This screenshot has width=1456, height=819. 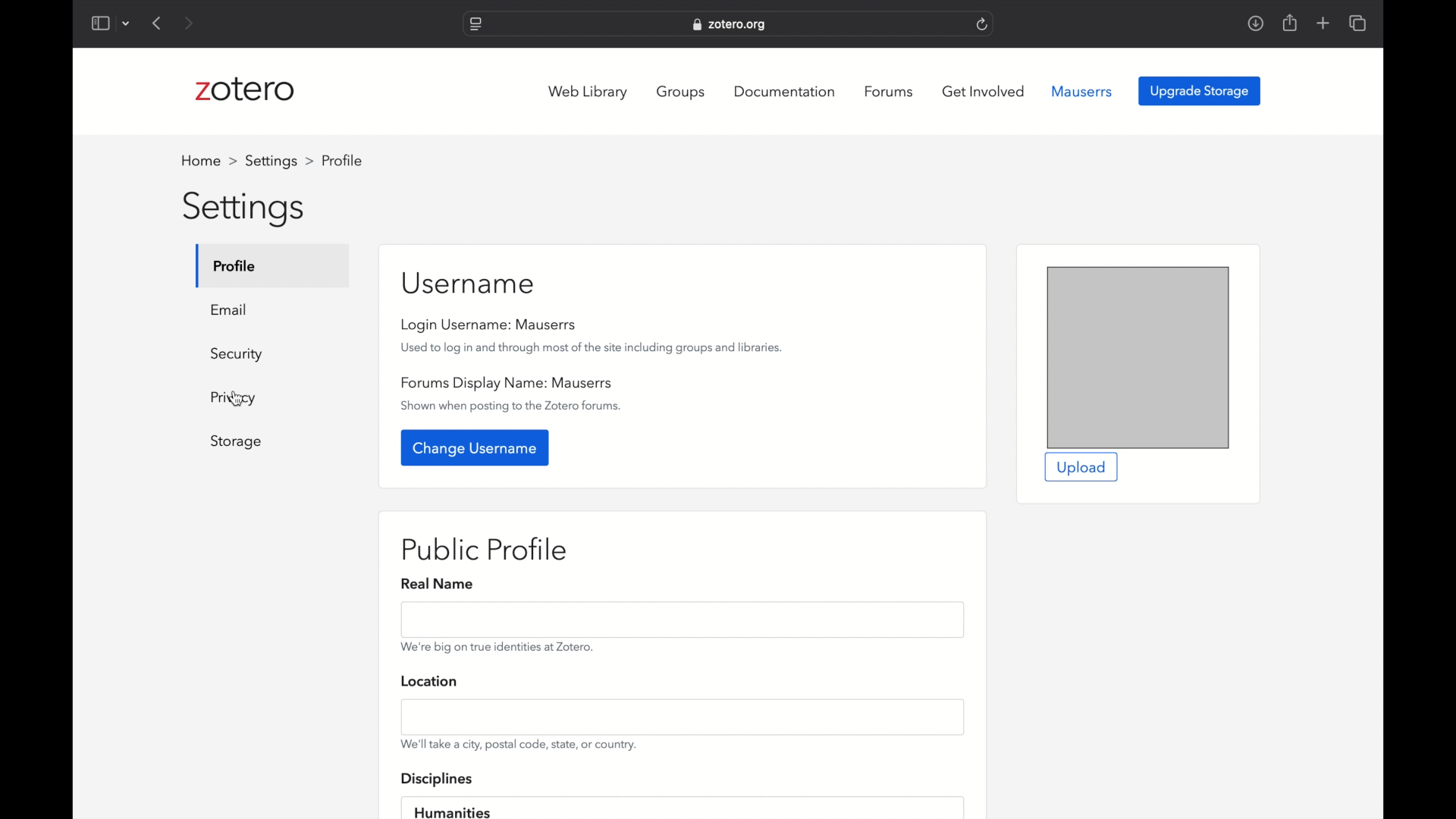 I want to click on documentation, so click(x=784, y=92).